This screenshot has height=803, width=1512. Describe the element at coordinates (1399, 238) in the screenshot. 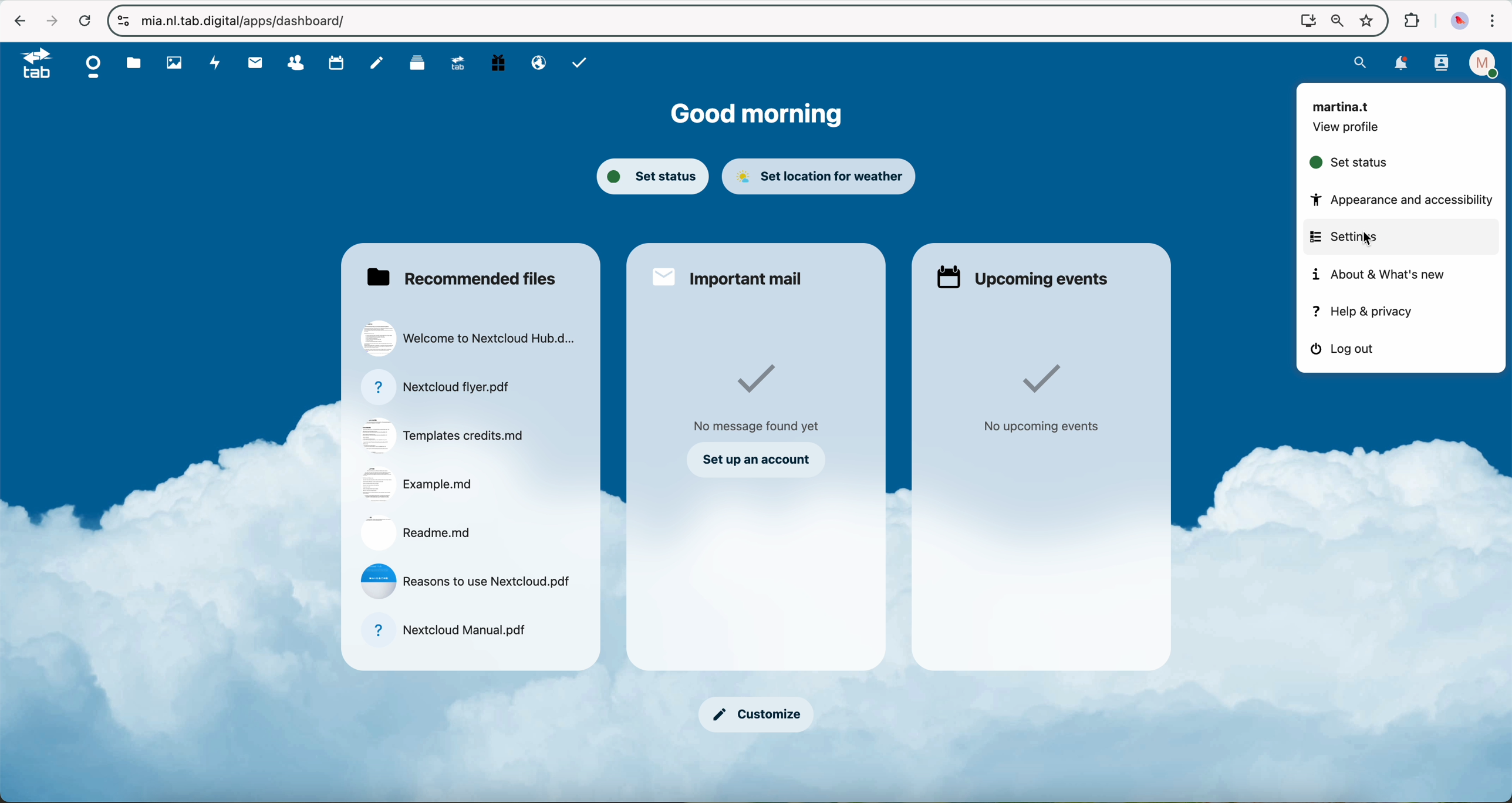

I see `settings` at that location.